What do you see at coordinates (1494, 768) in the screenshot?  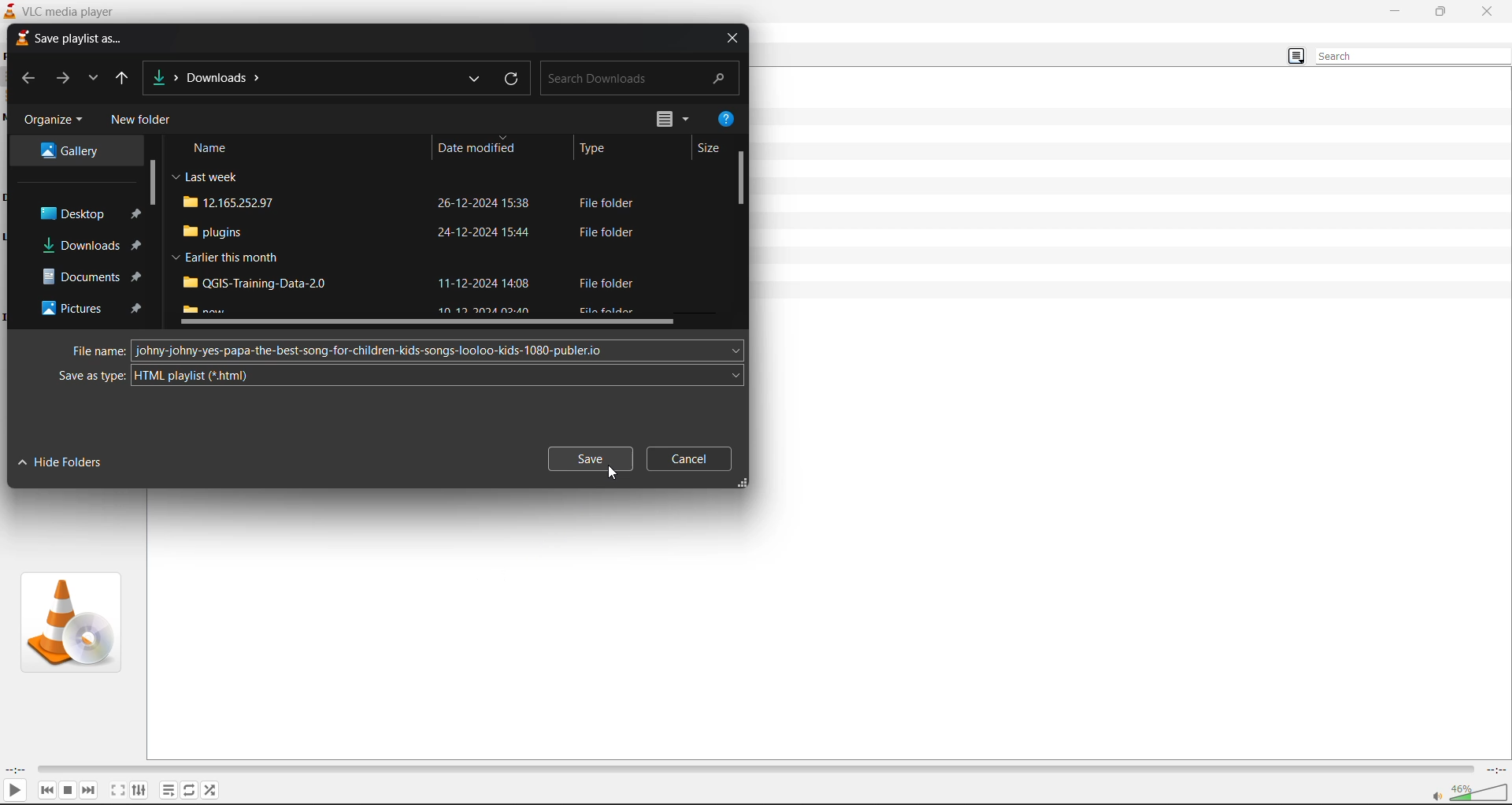 I see `total track time` at bounding box center [1494, 768].